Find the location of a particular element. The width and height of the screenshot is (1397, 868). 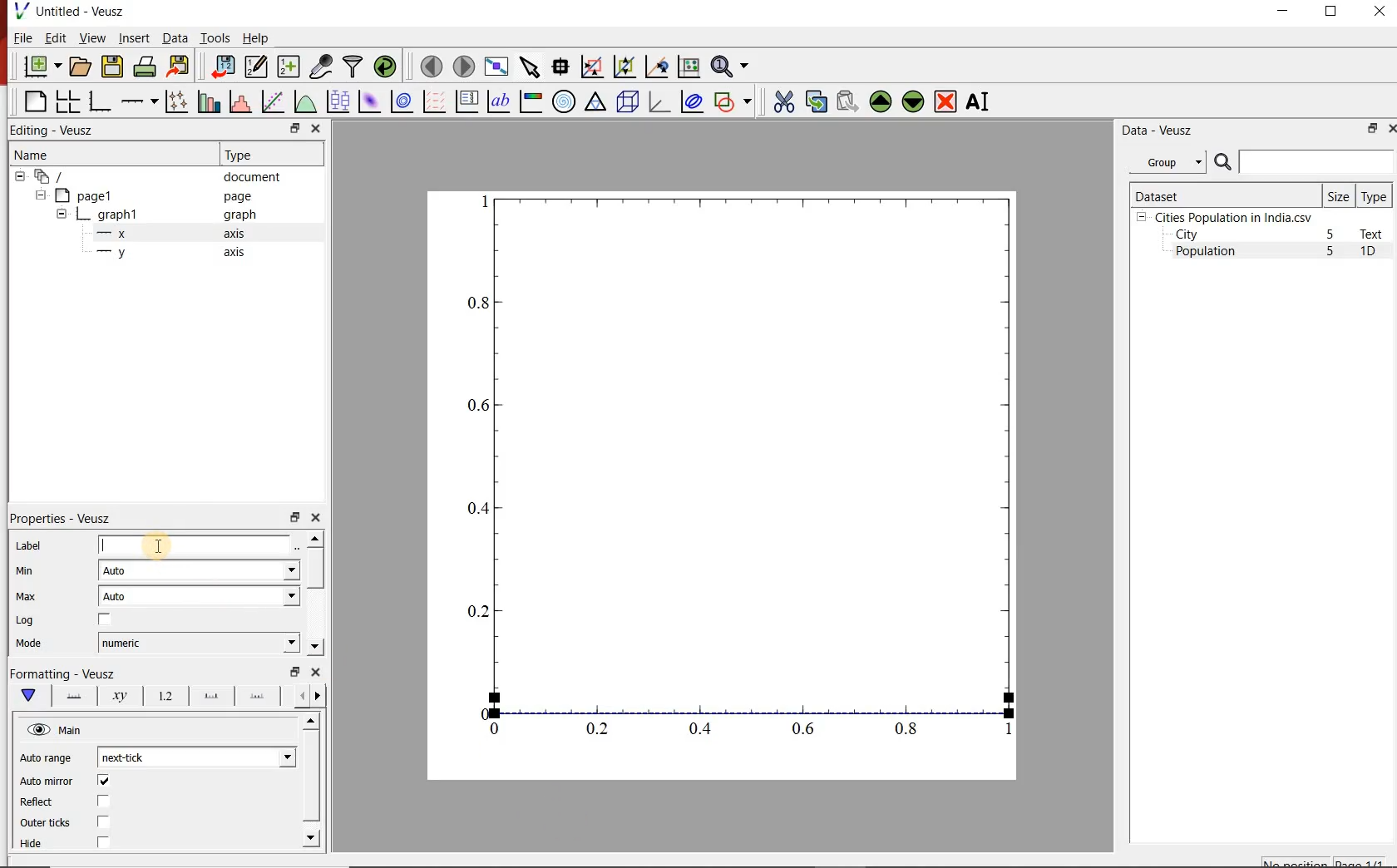

RESTORE is located at coordinates (1331, 12).